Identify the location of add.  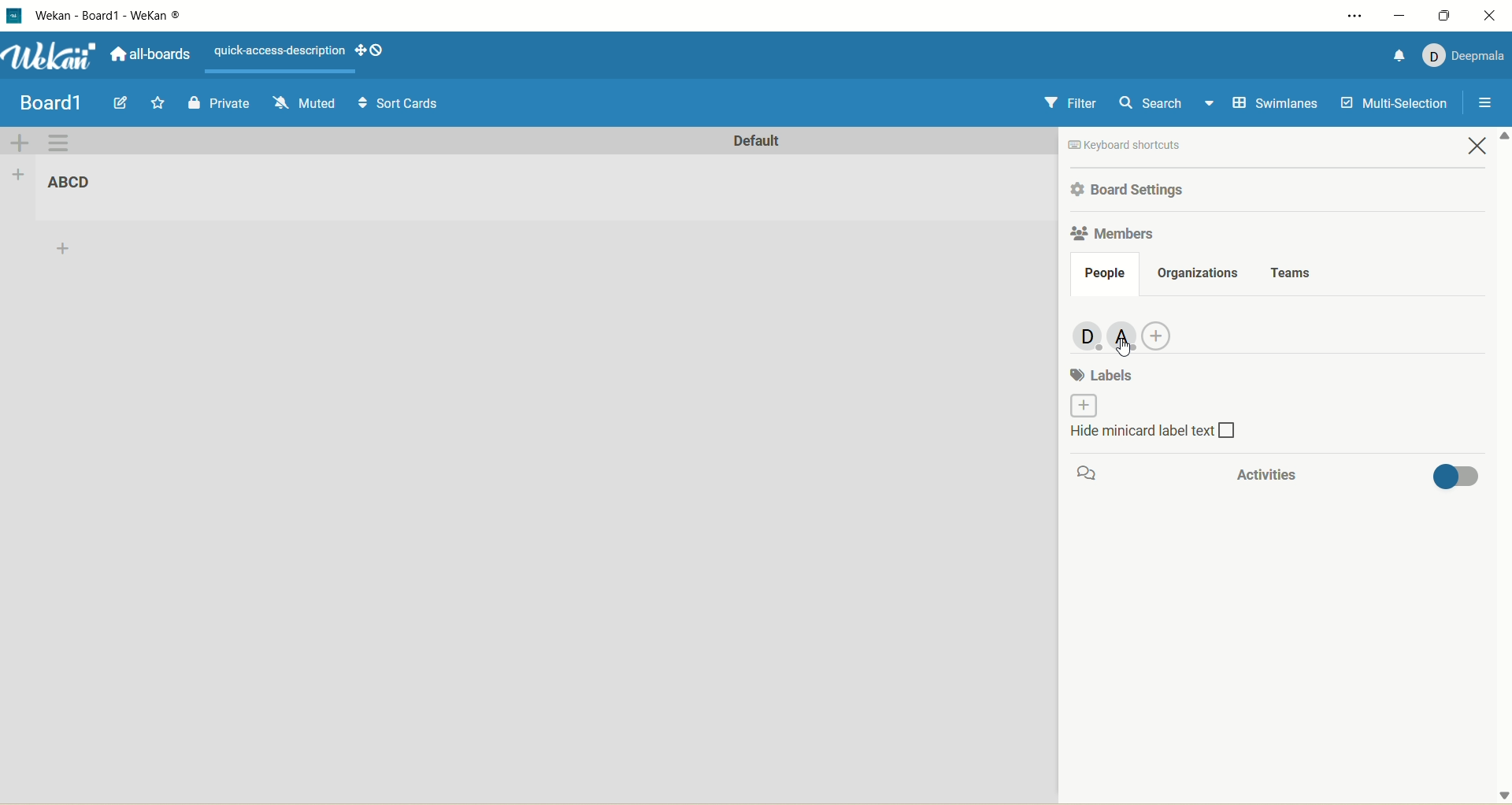
(1079, 406).